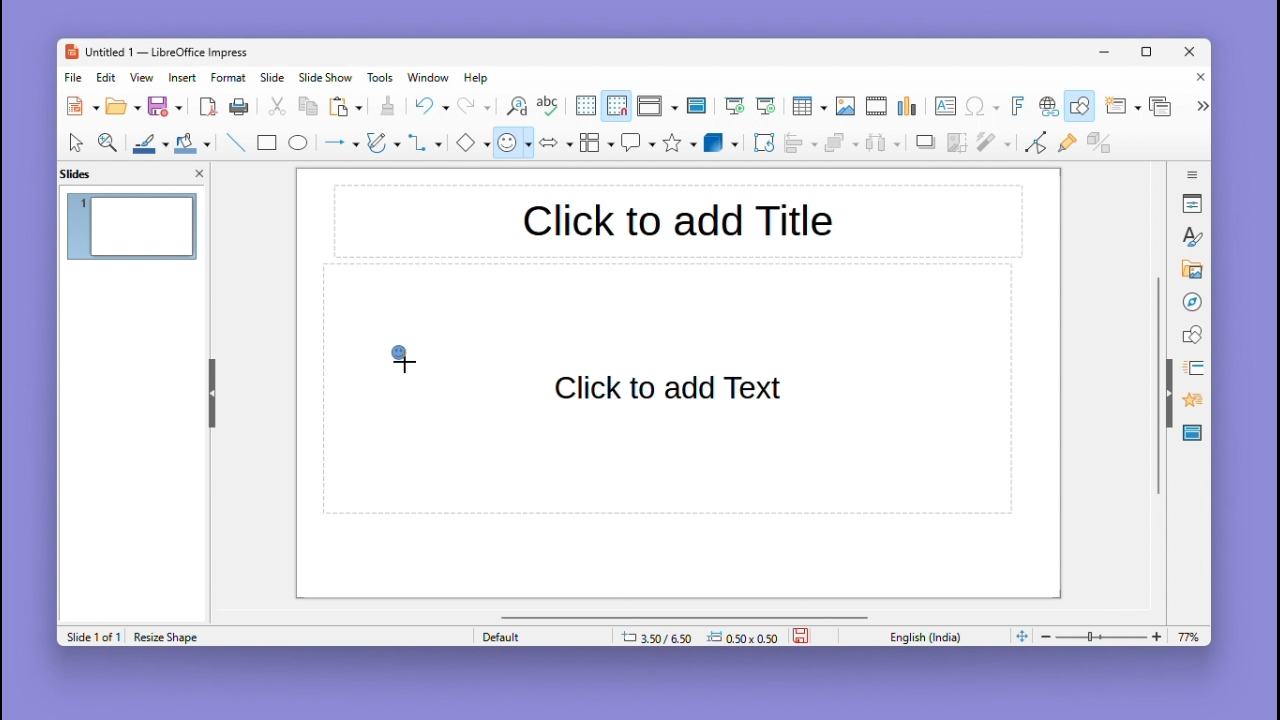 This screenshot has width=1280, height=720. I want to click on Diamond, so click(472, 143).